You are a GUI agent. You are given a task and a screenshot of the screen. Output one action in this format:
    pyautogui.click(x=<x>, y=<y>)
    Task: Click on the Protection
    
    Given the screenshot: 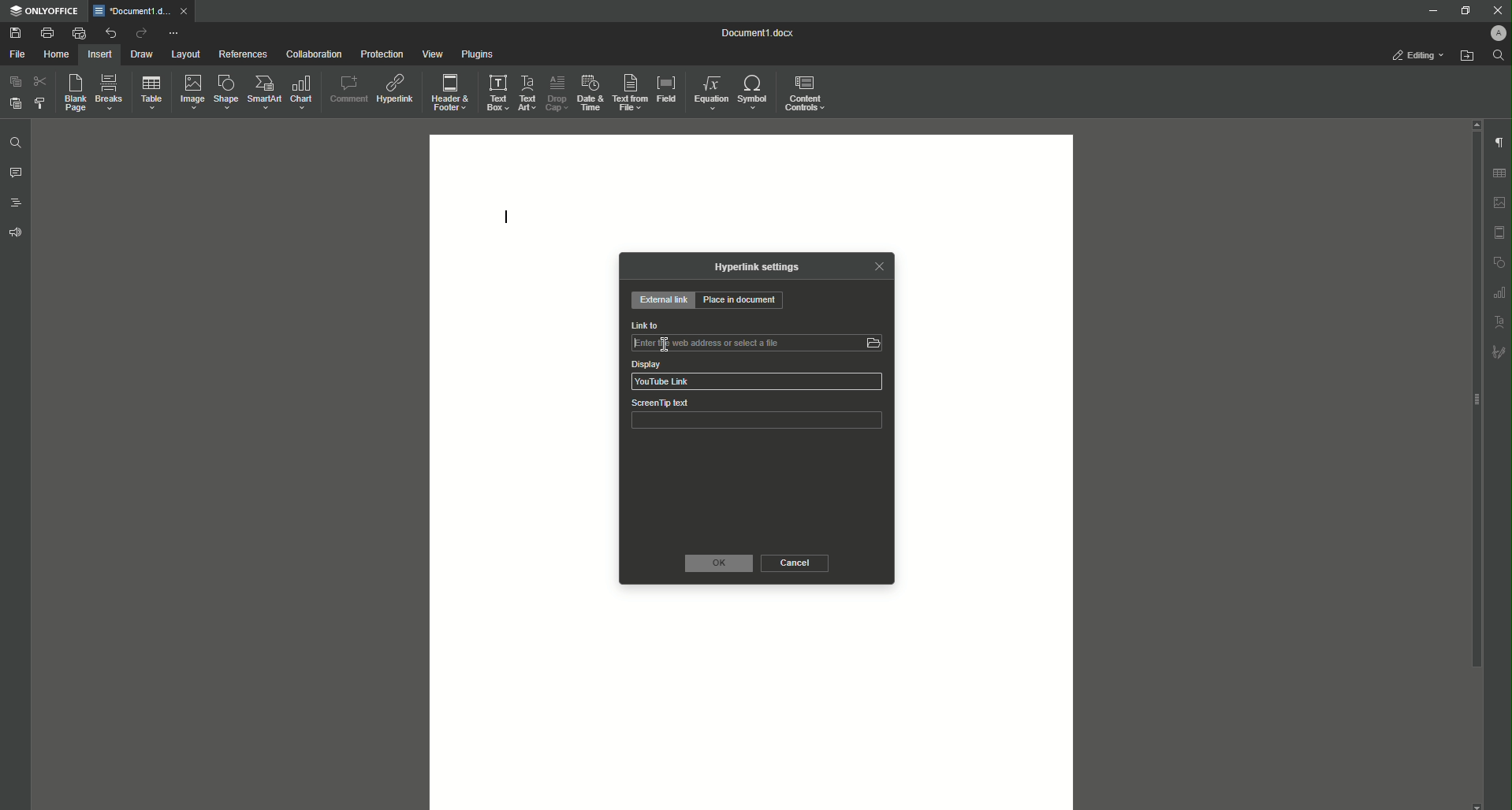 What is the action you would take?
    pyautogui.click(x=382, y=55)
    